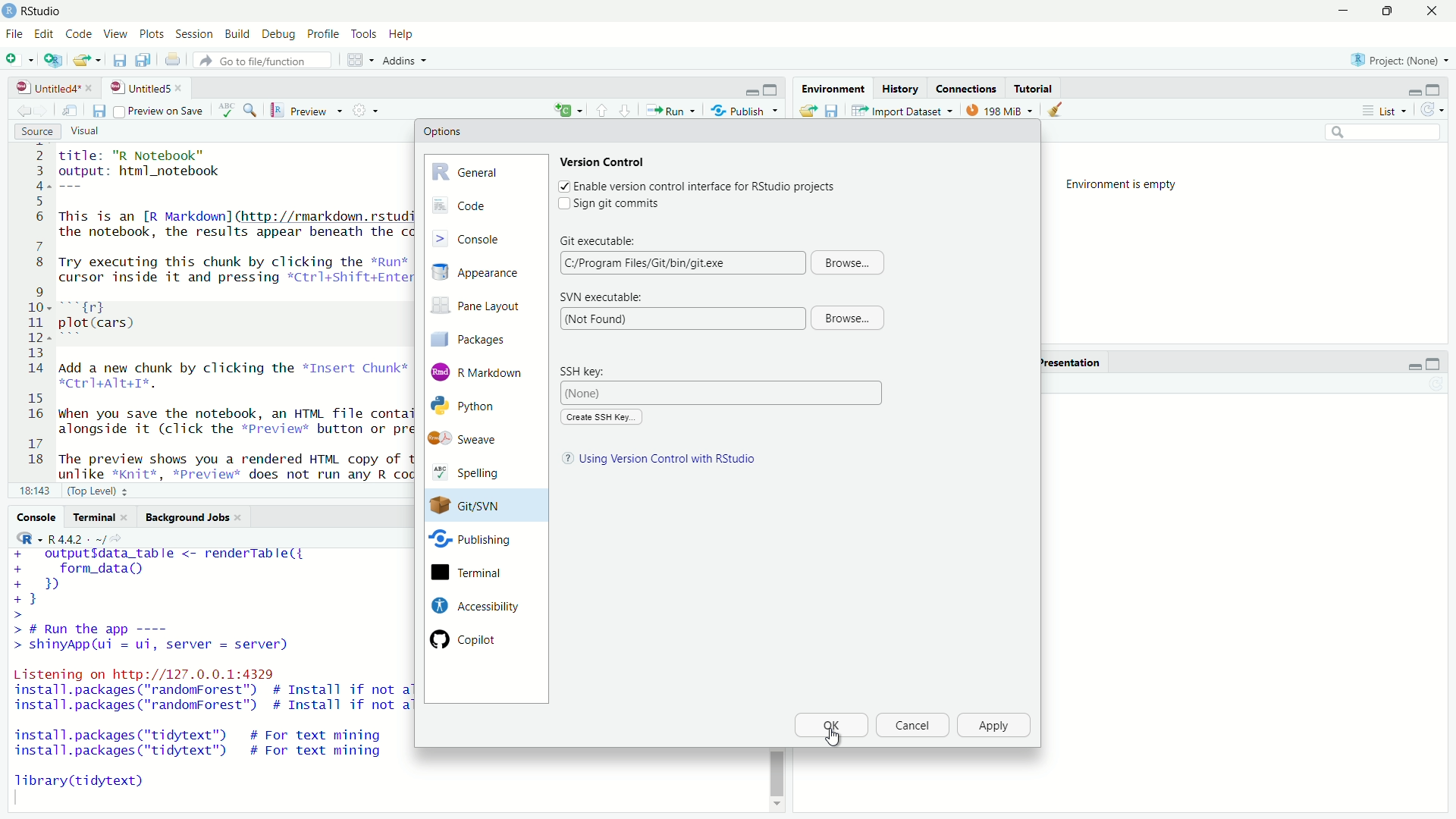 The width and height of the screenshot is (1456, 819). I want to click on Import Dataset , so click(903, 110).